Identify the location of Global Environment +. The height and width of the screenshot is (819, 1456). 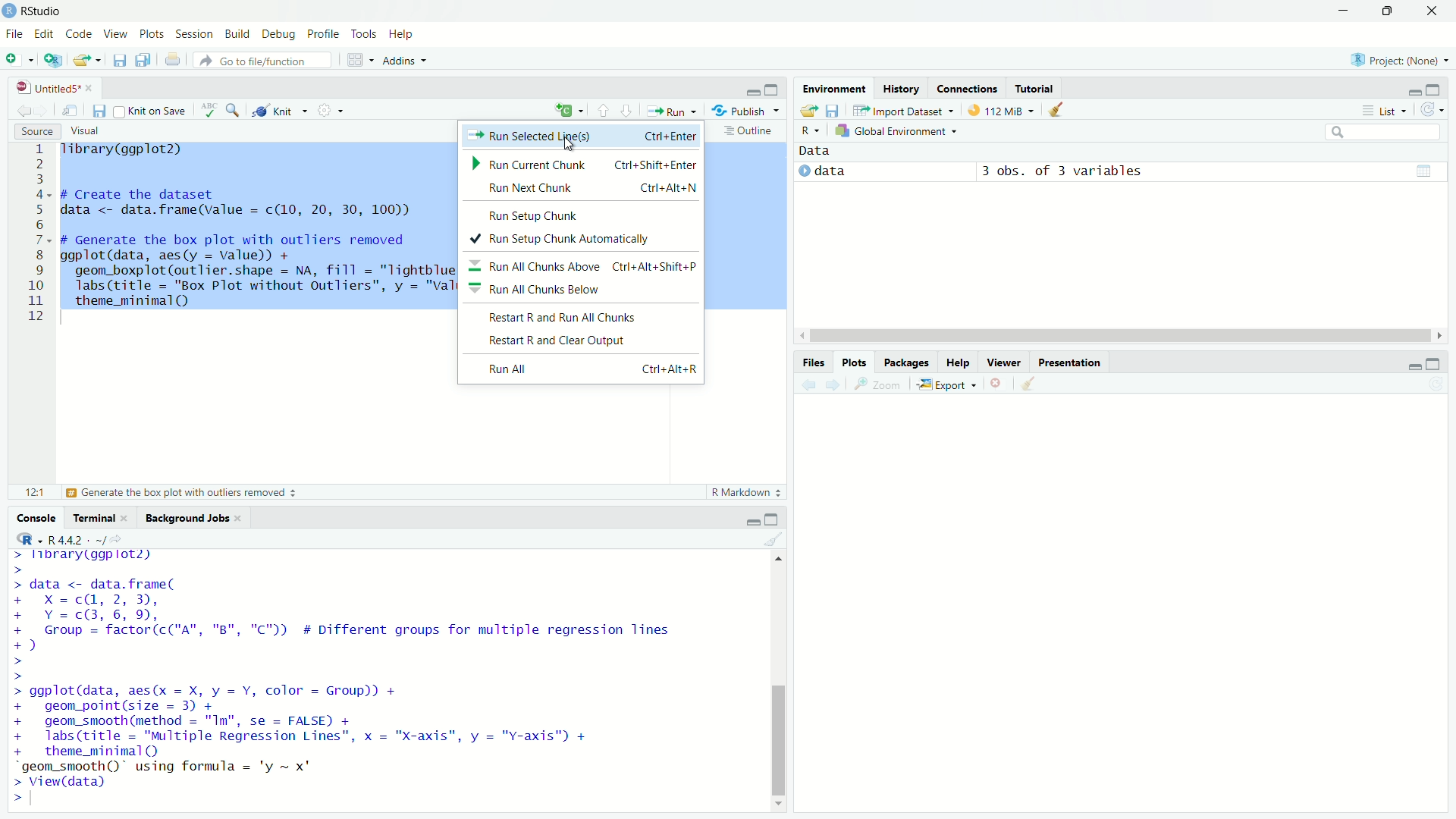
(899, 129).